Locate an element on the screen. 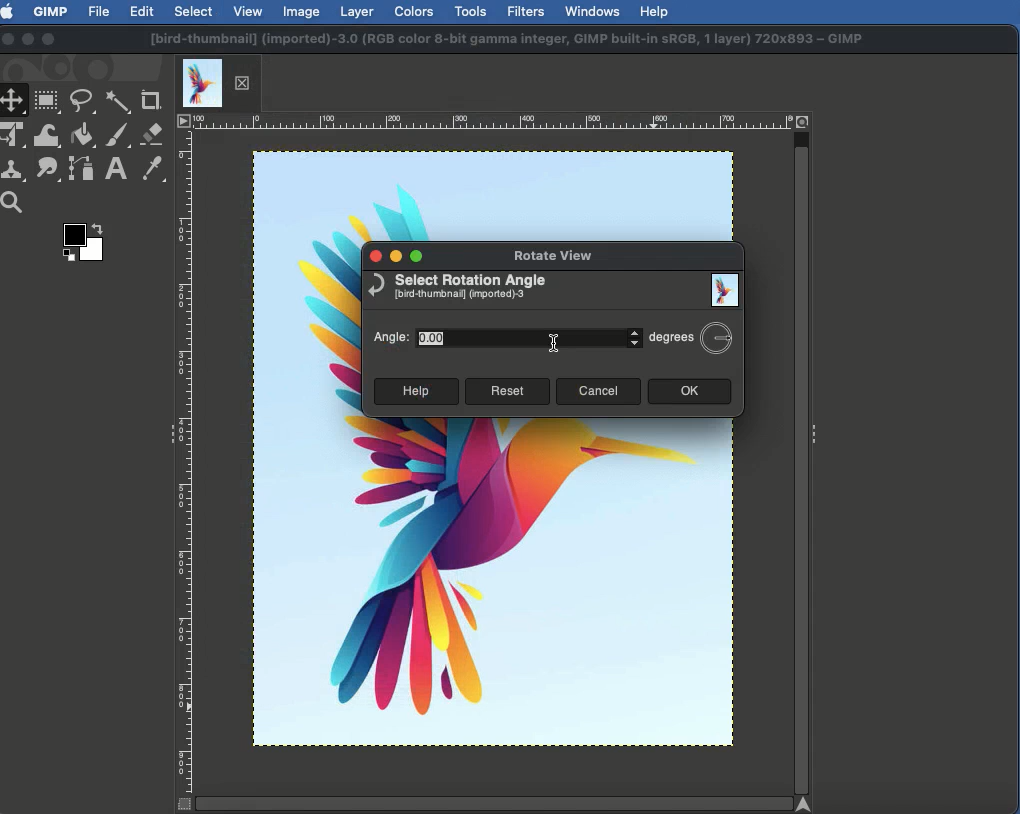 The width and height of the screenshot is (1020, 814). vertical Scrollbar is located at coordinates (802, 462).